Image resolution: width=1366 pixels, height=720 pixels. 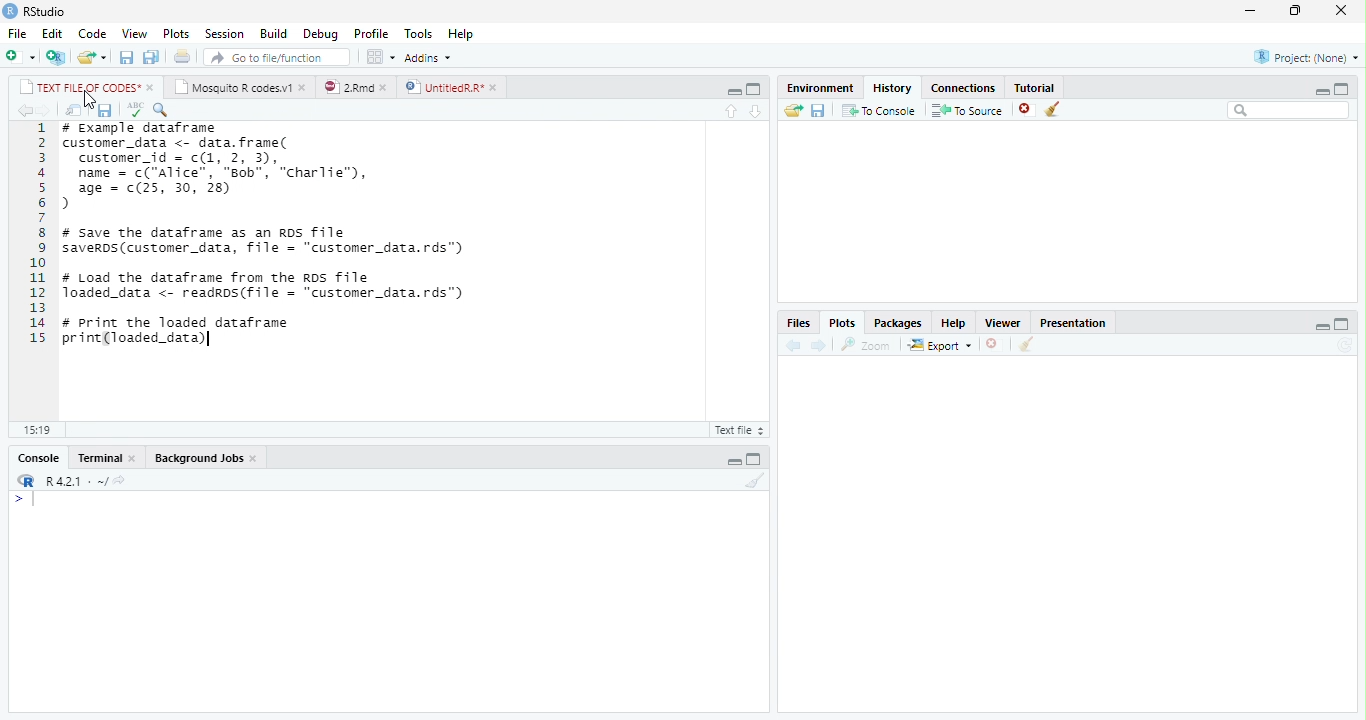 I want to click on back, so click(x=793, y=346).